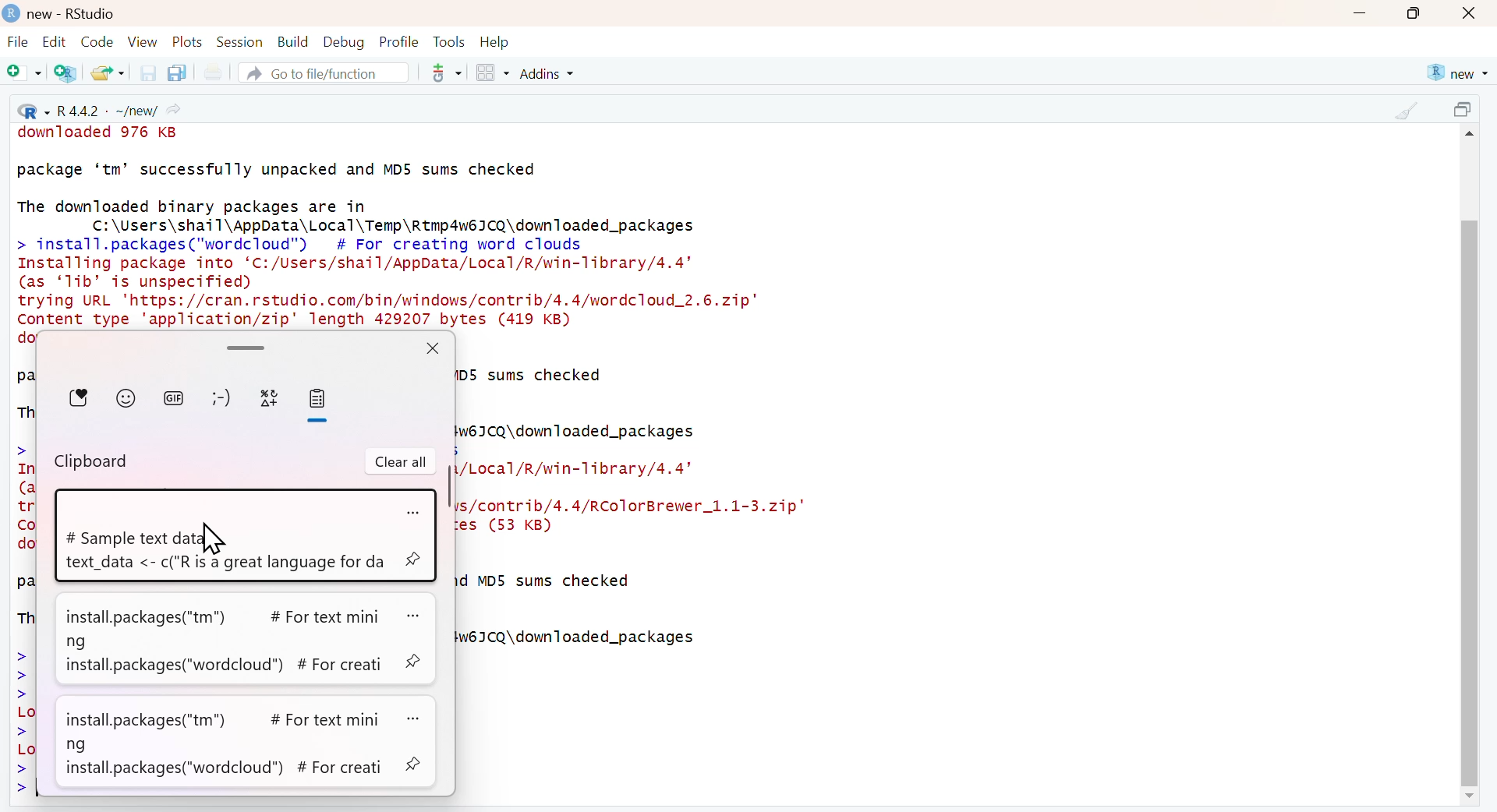 Image resolution: width=1497 pixels, height=812 pixels. Describe the element at coordinates (1361, 12) in the screenshot. I see `minimize` at that location.